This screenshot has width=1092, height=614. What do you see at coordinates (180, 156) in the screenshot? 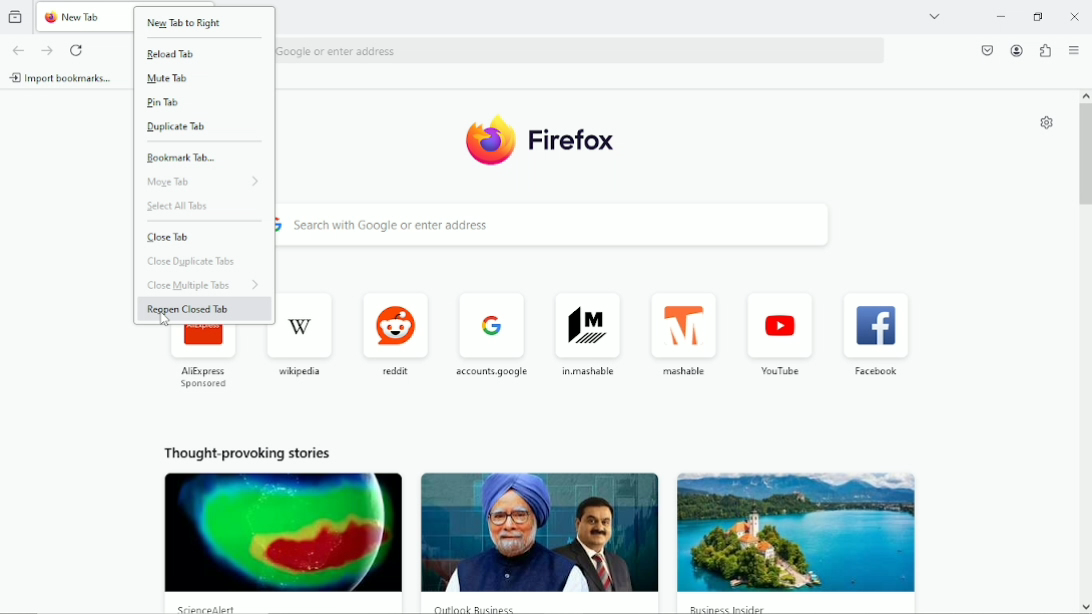
I see `bookmark tab` at bounding box center [180, 156].